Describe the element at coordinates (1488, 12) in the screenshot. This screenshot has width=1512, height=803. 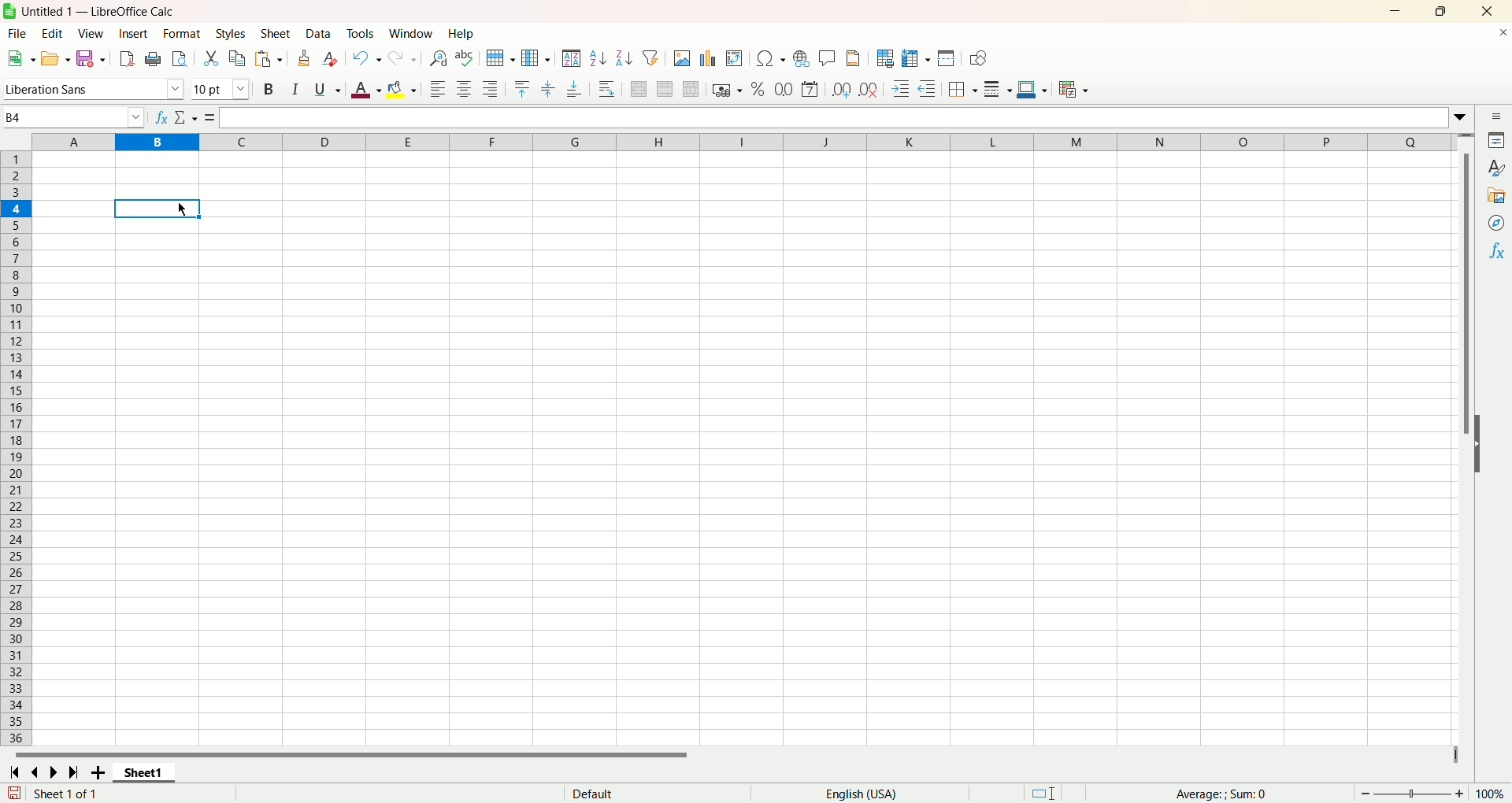
I see `close` at that location.